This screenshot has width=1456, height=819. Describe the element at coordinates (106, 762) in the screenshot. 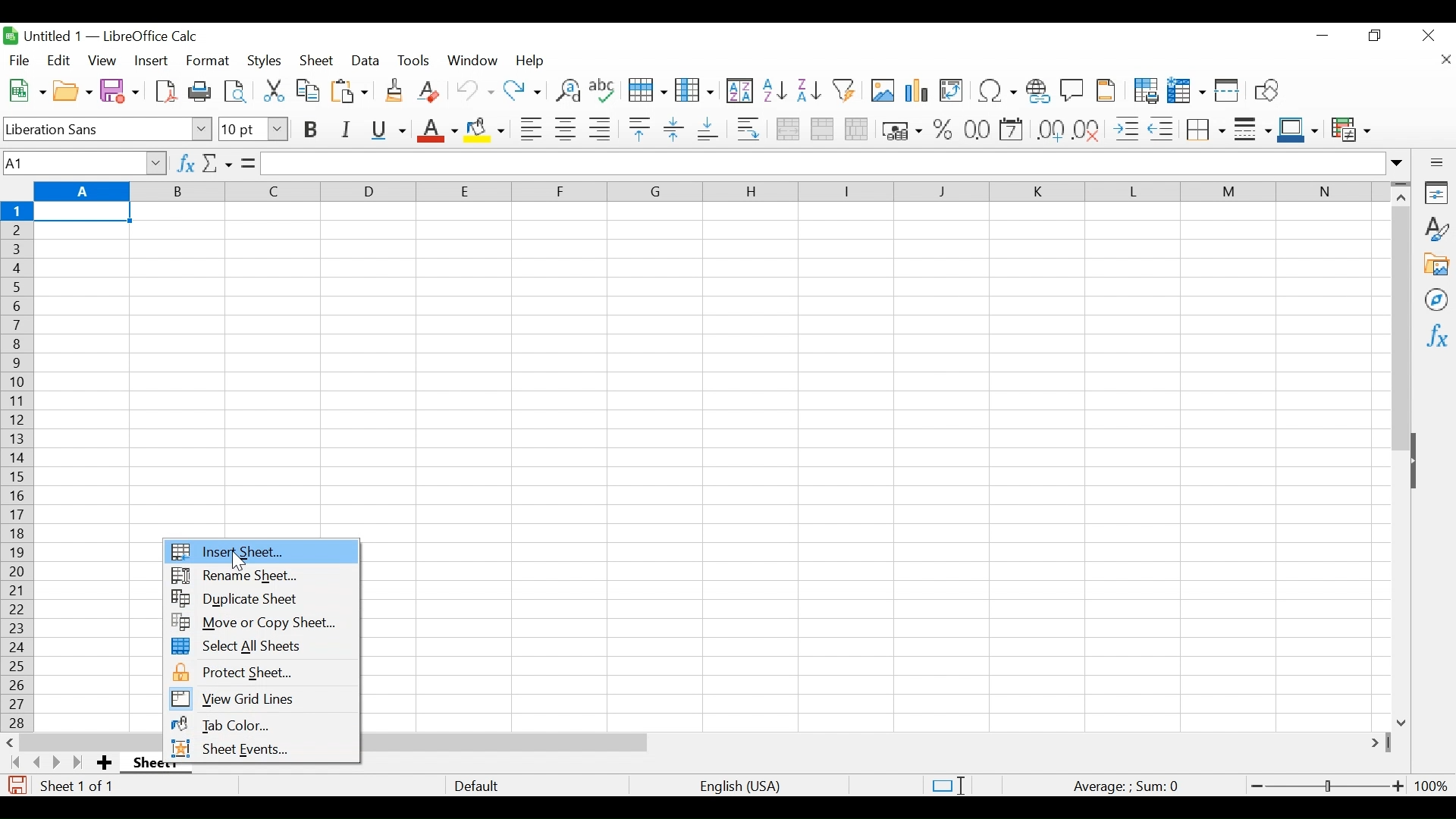

I see `Add Sheet` at that location.